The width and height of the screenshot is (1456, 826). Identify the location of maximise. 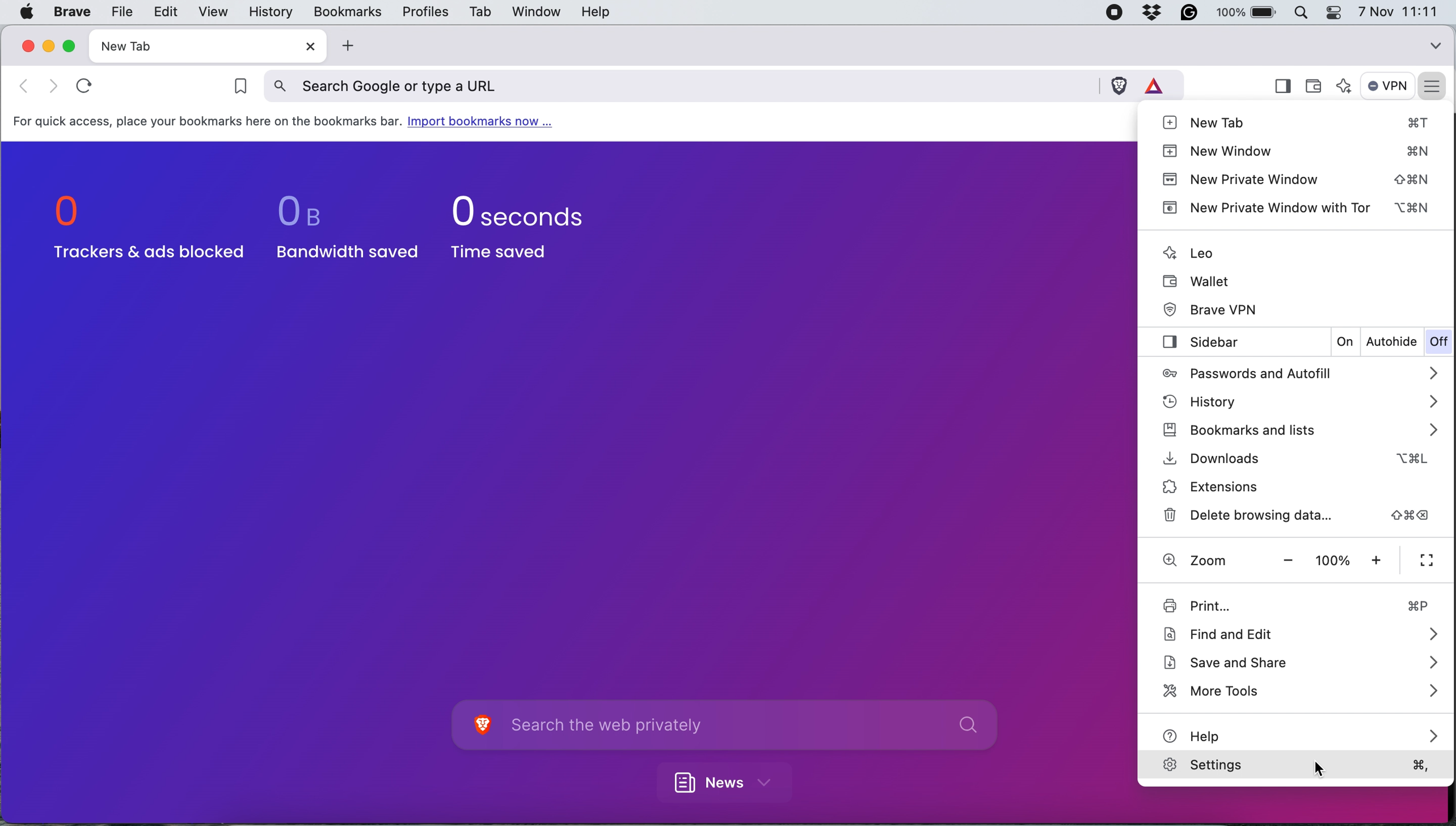
(71, 45).